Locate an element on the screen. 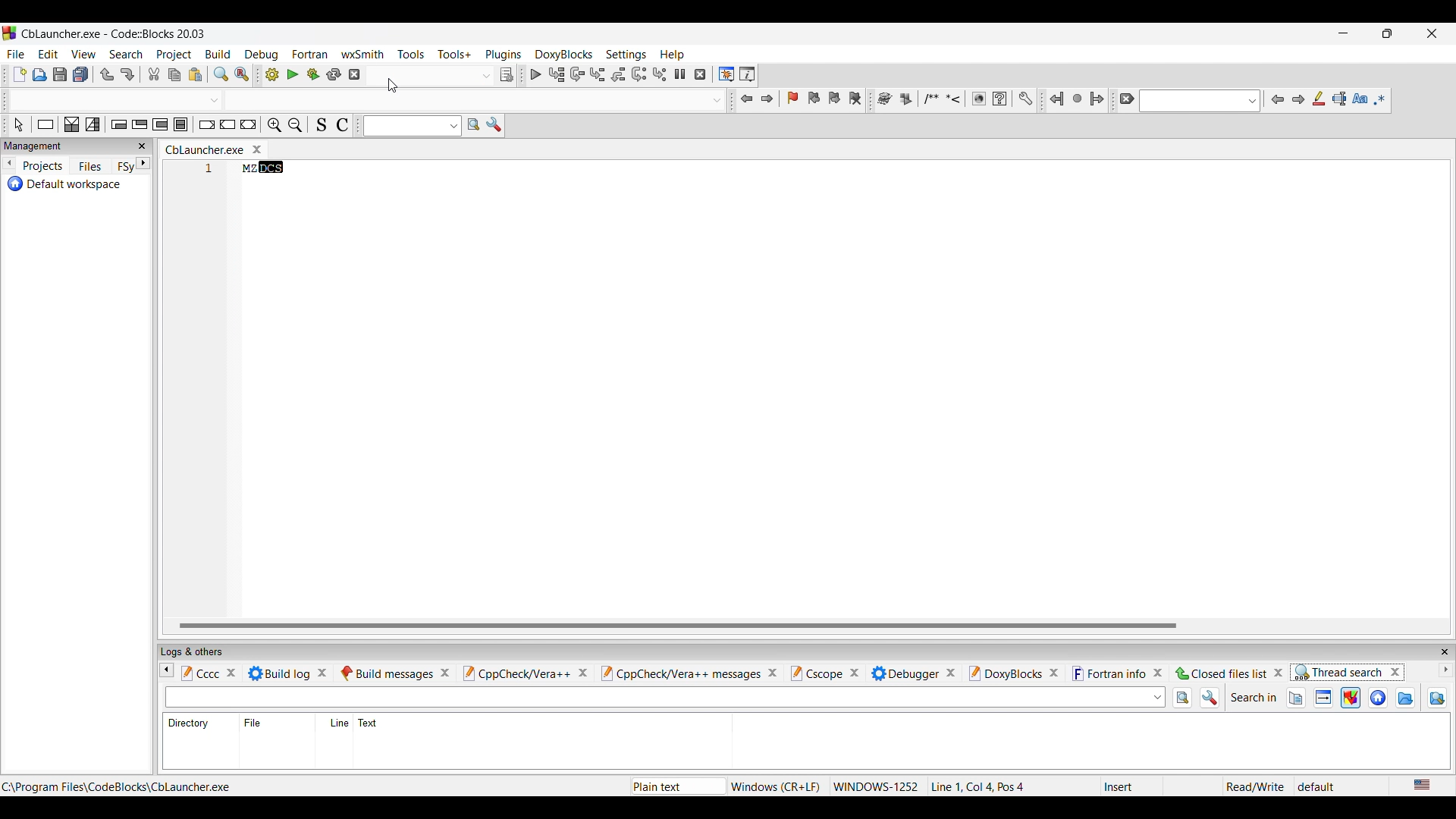 Image resolution: width=1456 pixels, height=819 pixels. Search in files is located at coordinates (1182, 698).